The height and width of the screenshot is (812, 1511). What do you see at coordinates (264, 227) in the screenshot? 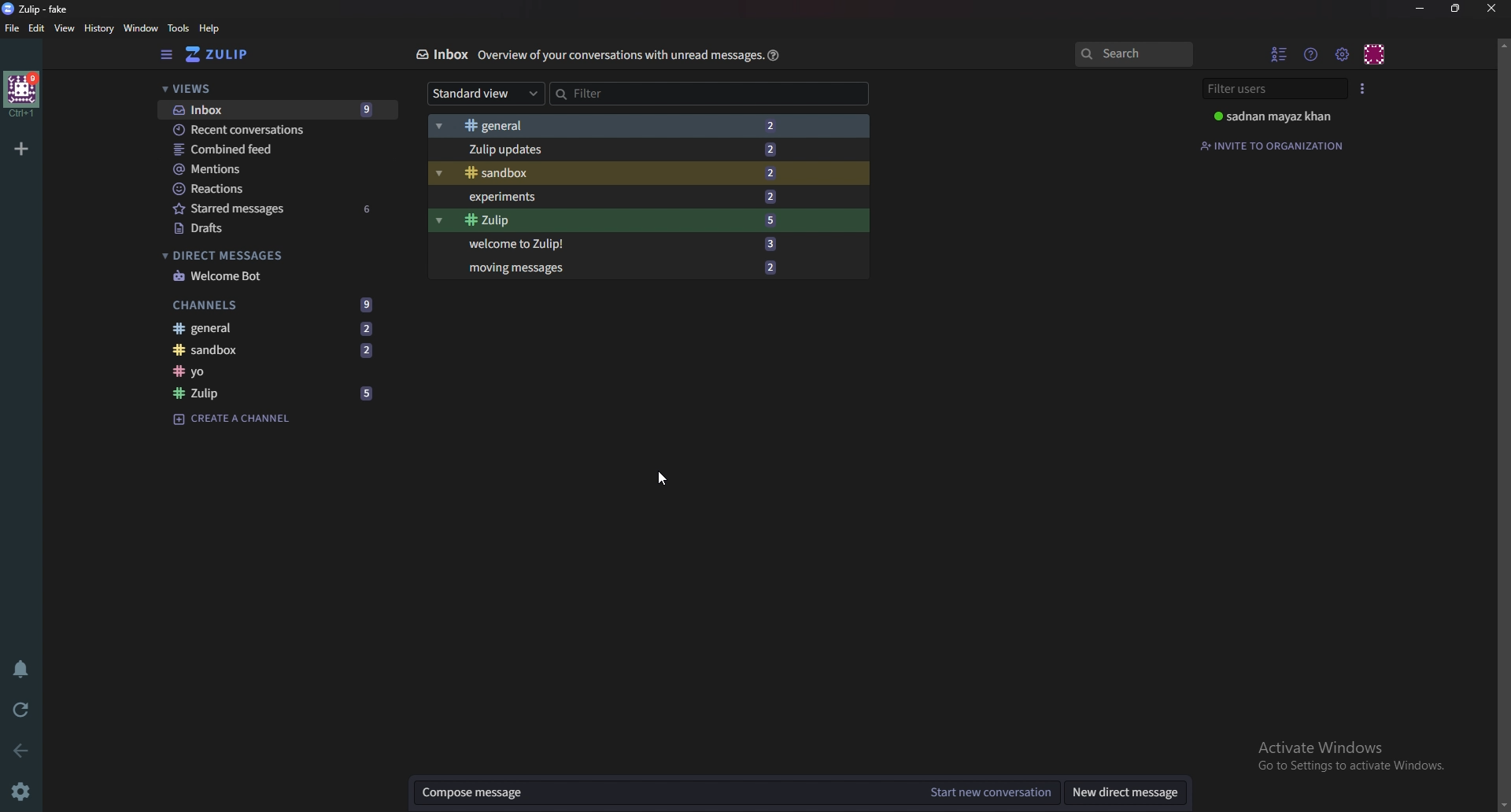
I see `drafts` at bounding box center [264, 227].